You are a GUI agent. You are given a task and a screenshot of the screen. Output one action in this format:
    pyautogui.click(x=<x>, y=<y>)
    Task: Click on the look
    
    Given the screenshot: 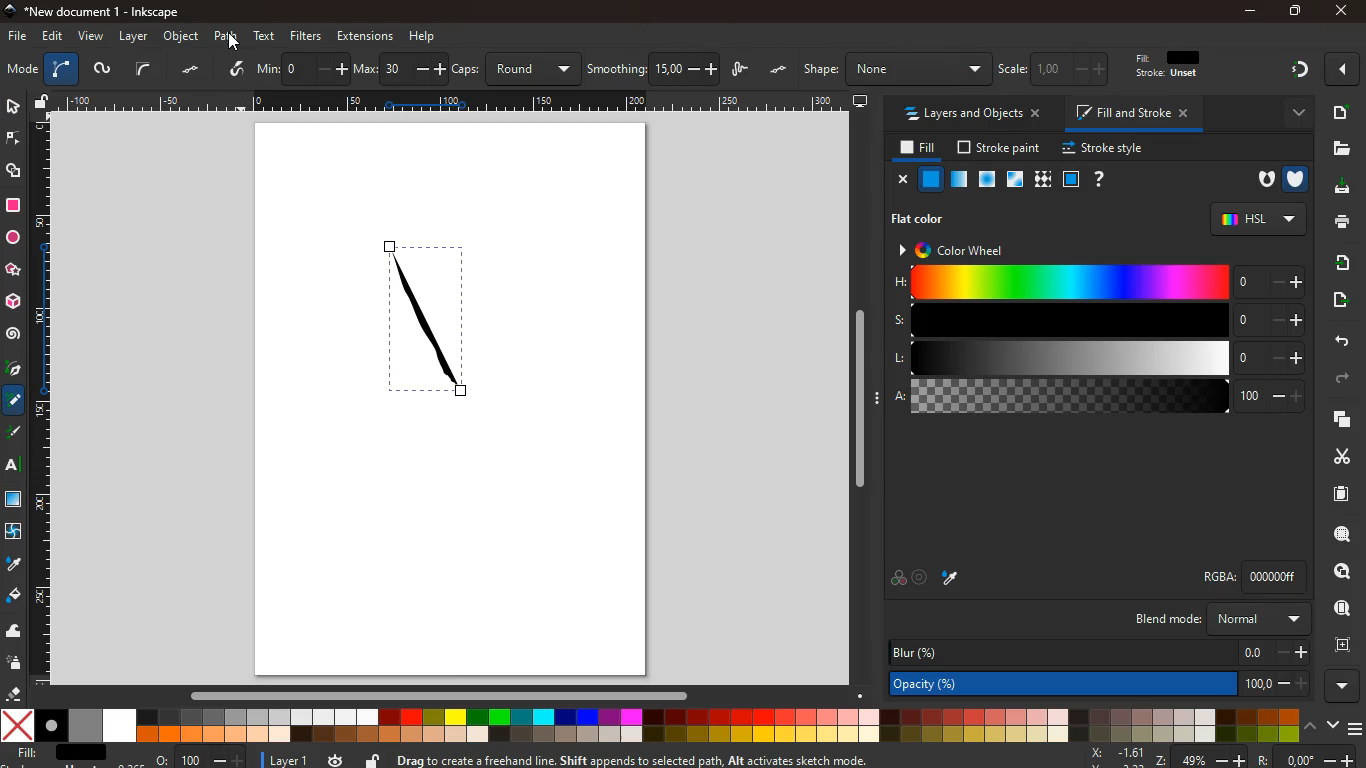 What is the action you would take?
    pyautogui.click(x=1341, y=610)
    